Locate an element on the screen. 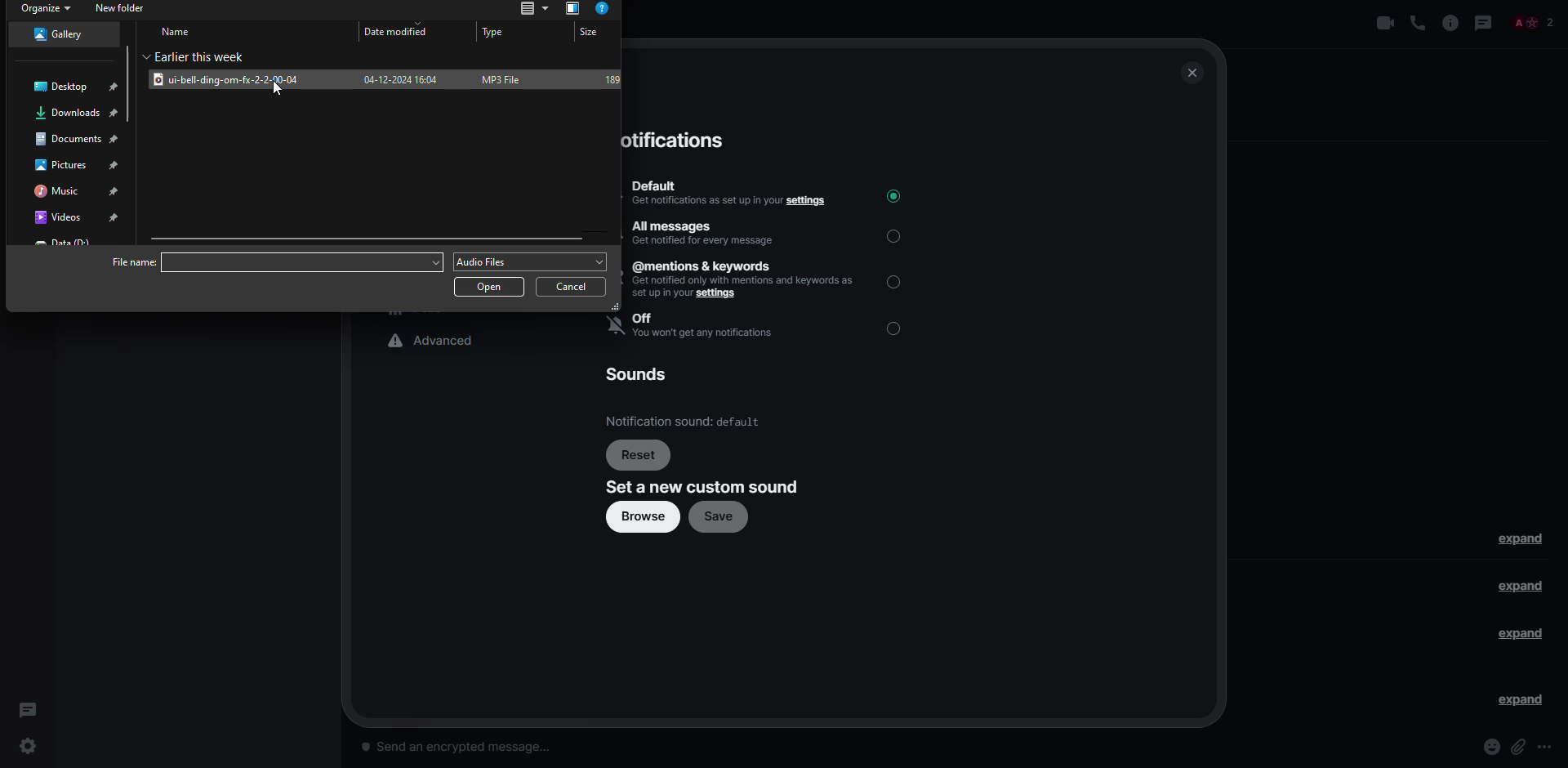 This screenshot has height=768, width=1568. threads is located at coordinates (27, 707).